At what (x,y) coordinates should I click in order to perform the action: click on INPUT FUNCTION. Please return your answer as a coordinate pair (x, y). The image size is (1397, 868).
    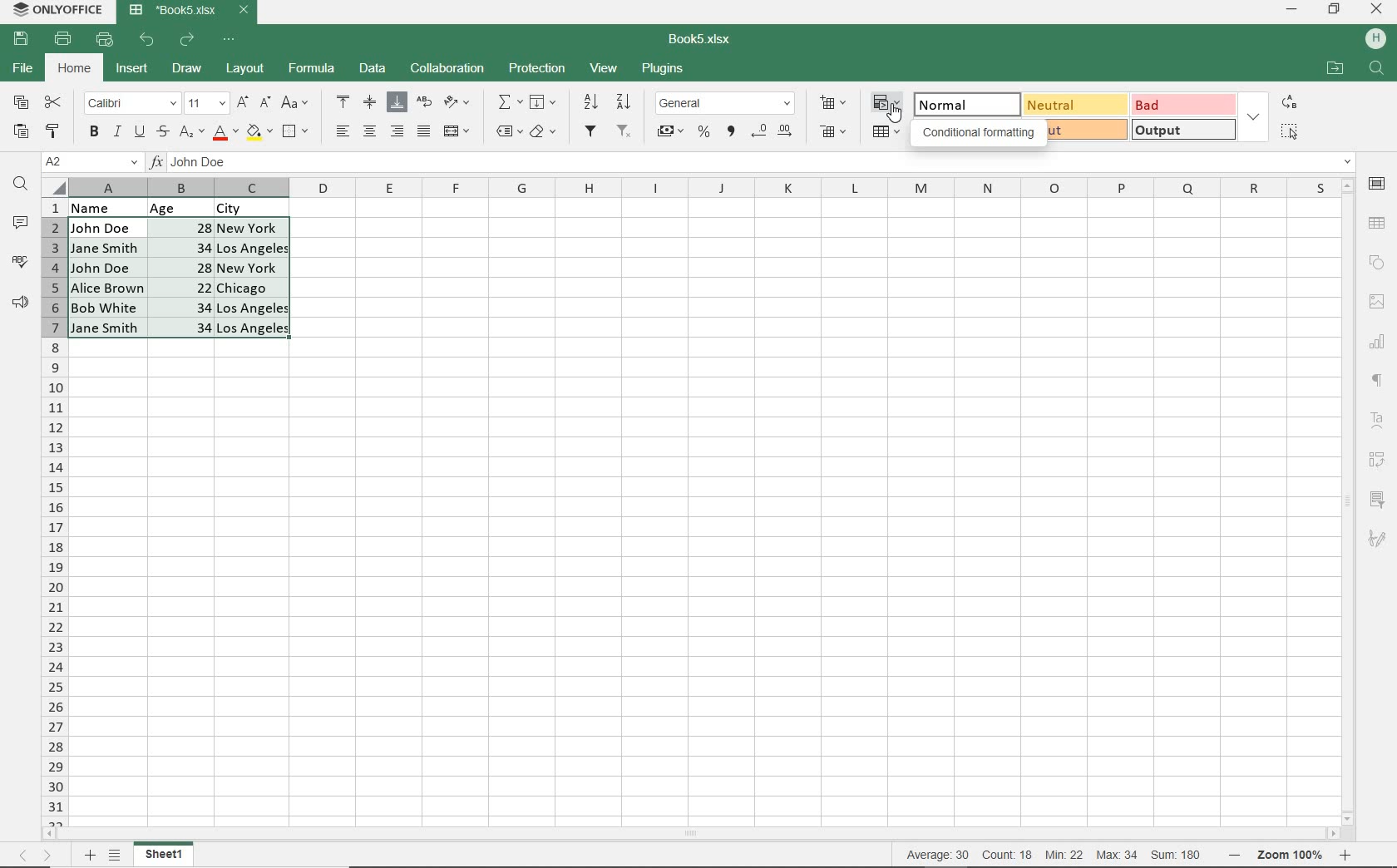
    Looking at the image, I should click on (752, 163).